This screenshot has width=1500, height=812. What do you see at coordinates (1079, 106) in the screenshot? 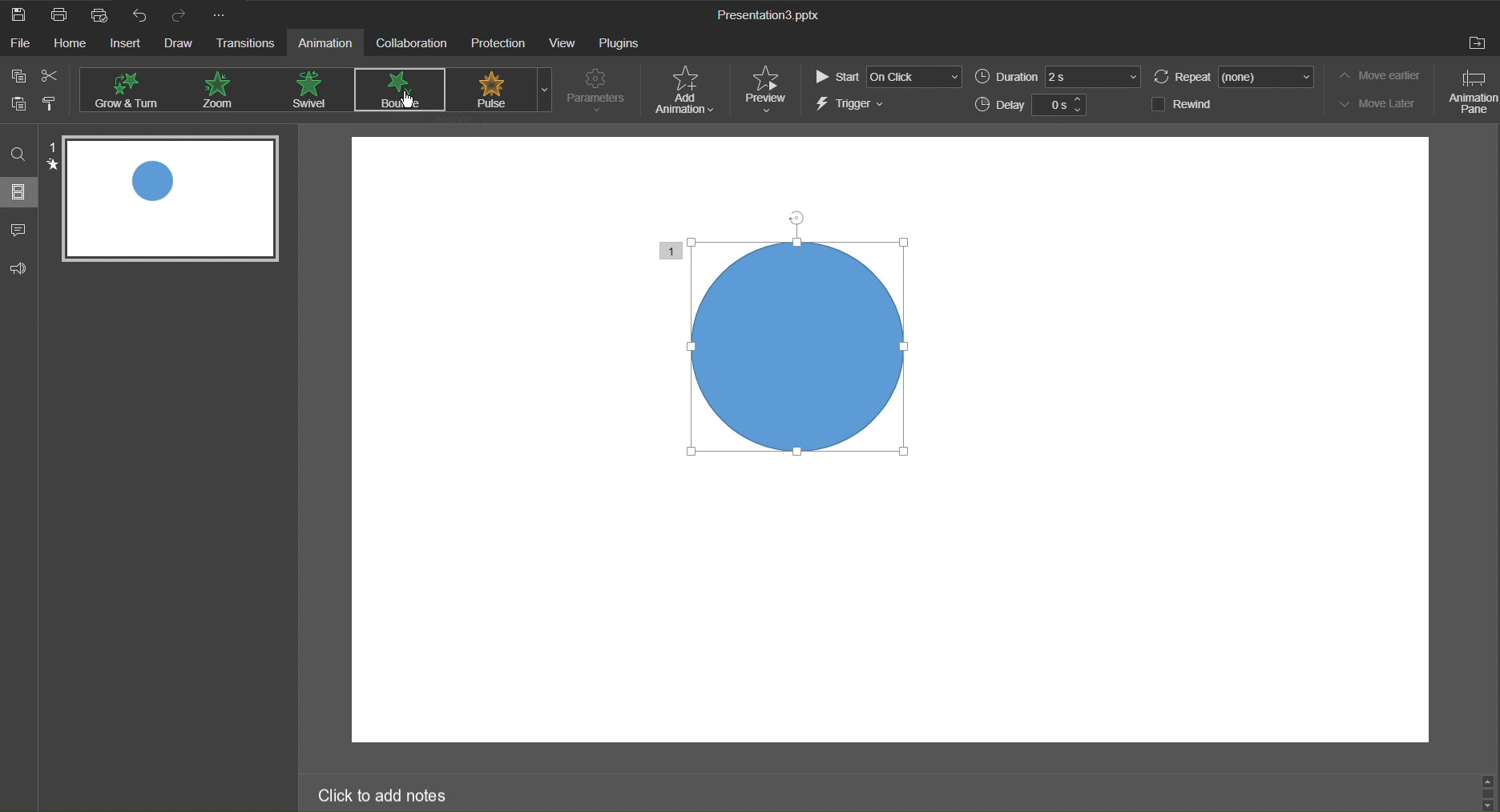
I see `Increase or decrease time` at bounding box center [1079, 106].